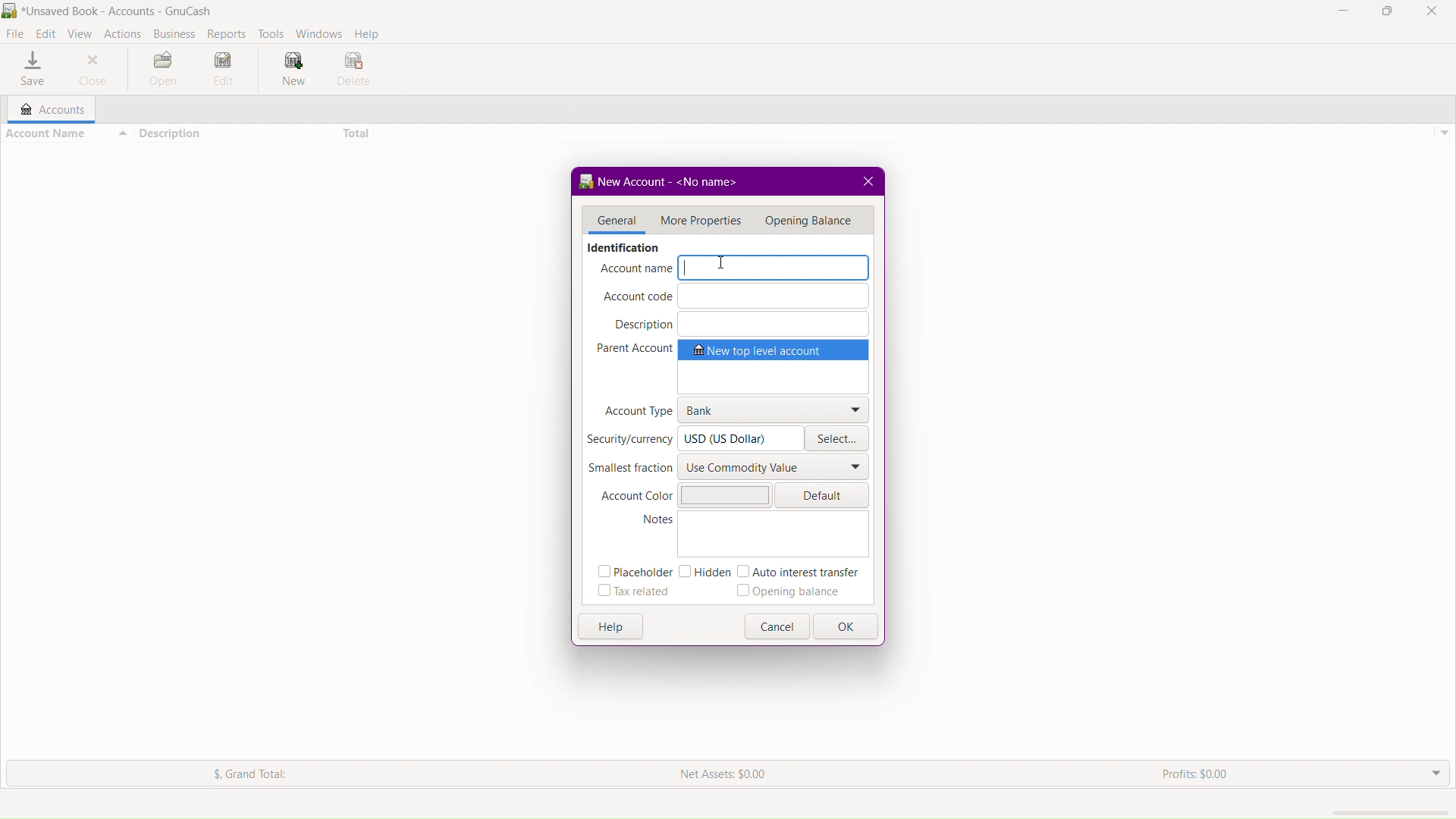 Image resolution: width=1456 pixels, height=819 pixels. What do you see at coordinates (269, 31) in the screenshot?
I see `Tools` at bounding box center [269, 31].